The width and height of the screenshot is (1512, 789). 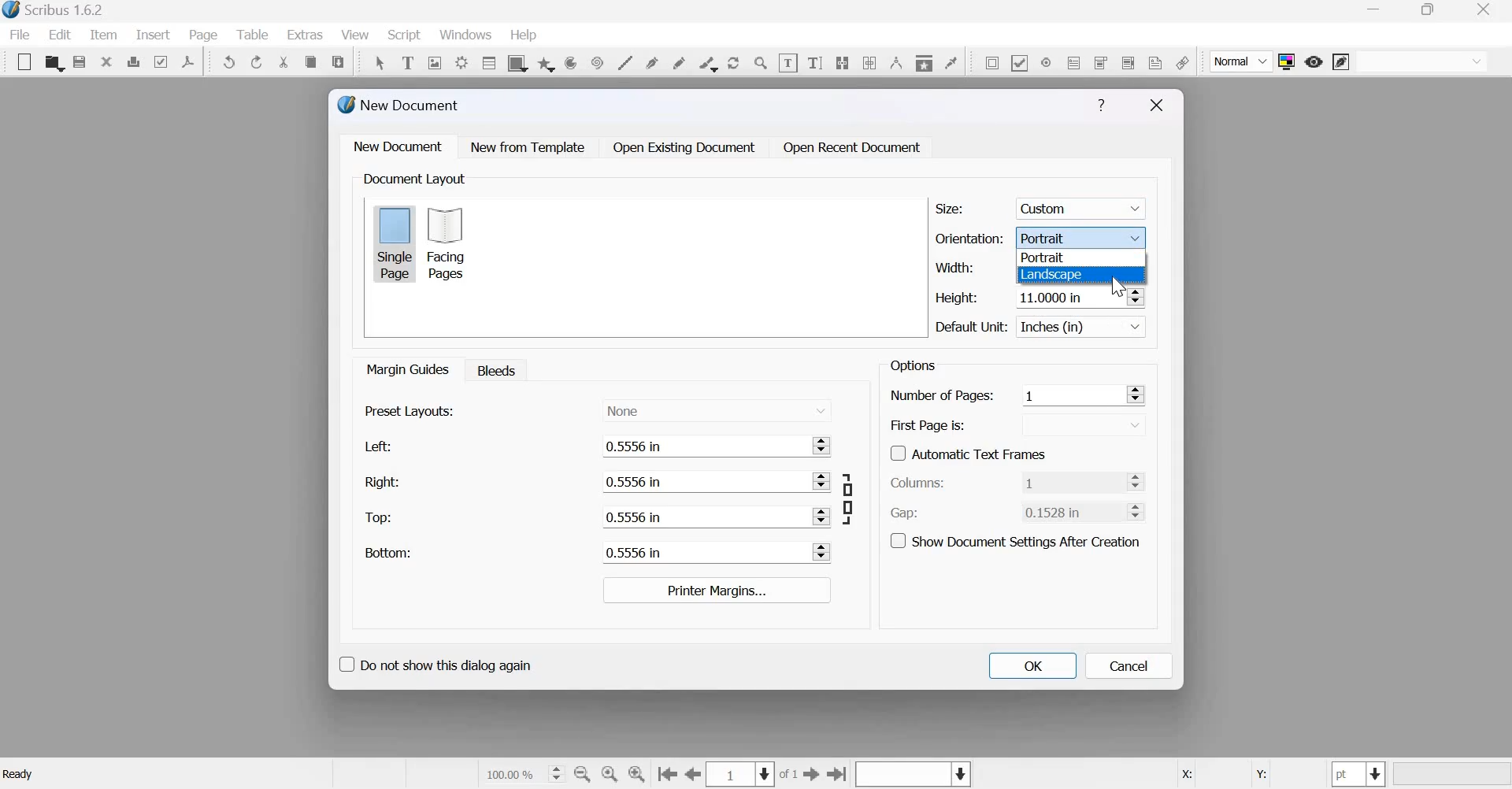 What do you see at coordinates (258, 62) in the screenshot?
I see `Redo` at bounding box center [258, 62].